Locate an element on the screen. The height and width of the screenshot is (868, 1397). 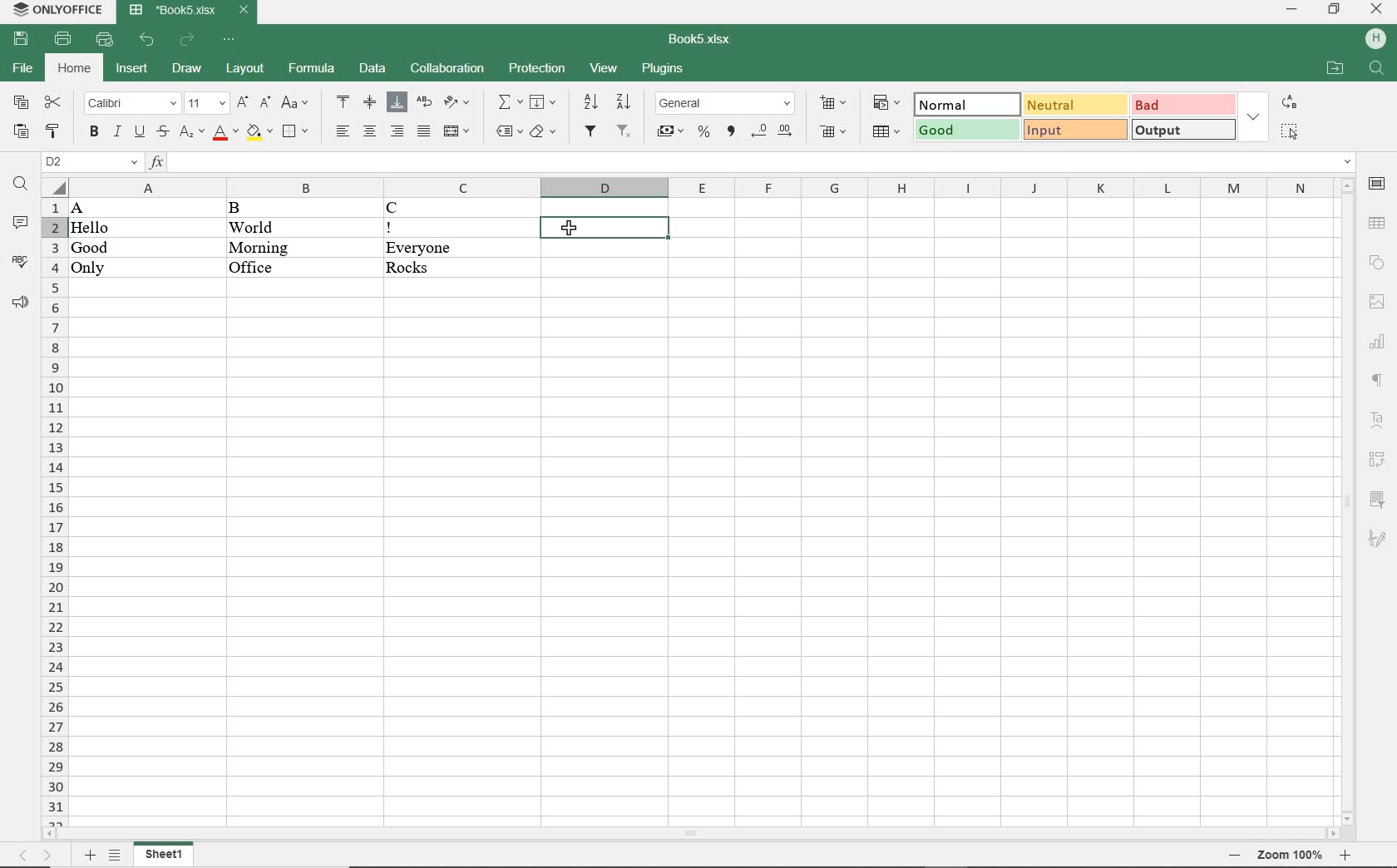
INSERT is located at coordinates (133, 67).